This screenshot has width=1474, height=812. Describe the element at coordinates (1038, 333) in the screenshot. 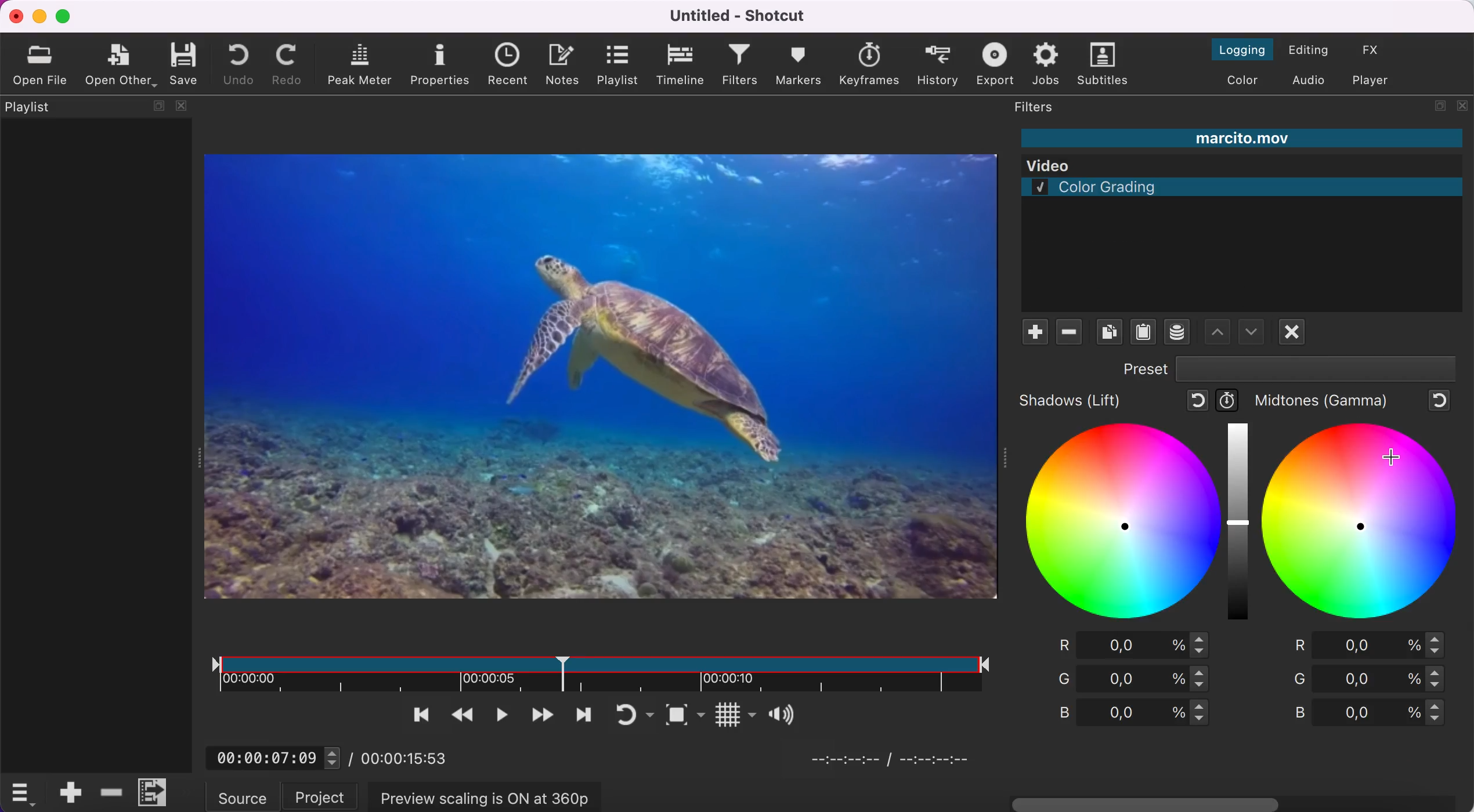

I see `add filte` at that location.